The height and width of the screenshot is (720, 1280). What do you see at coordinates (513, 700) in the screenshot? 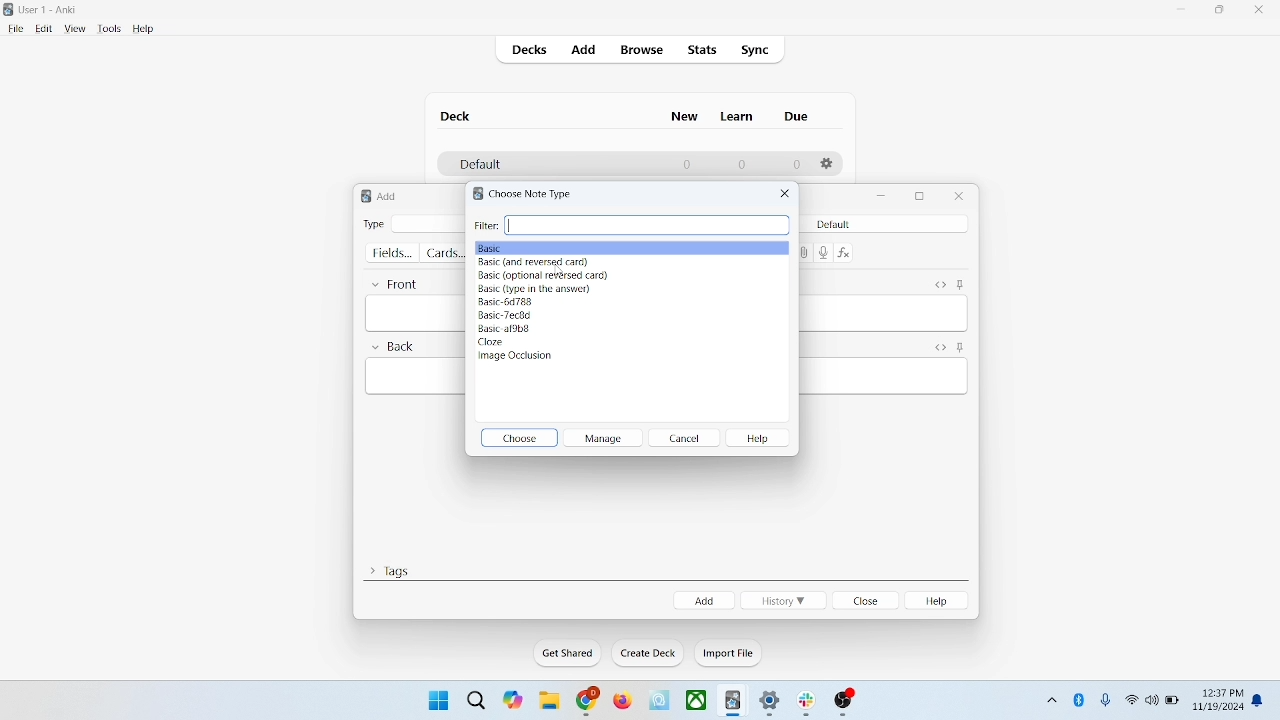
I see `themes` at bounding box center [513, 700].